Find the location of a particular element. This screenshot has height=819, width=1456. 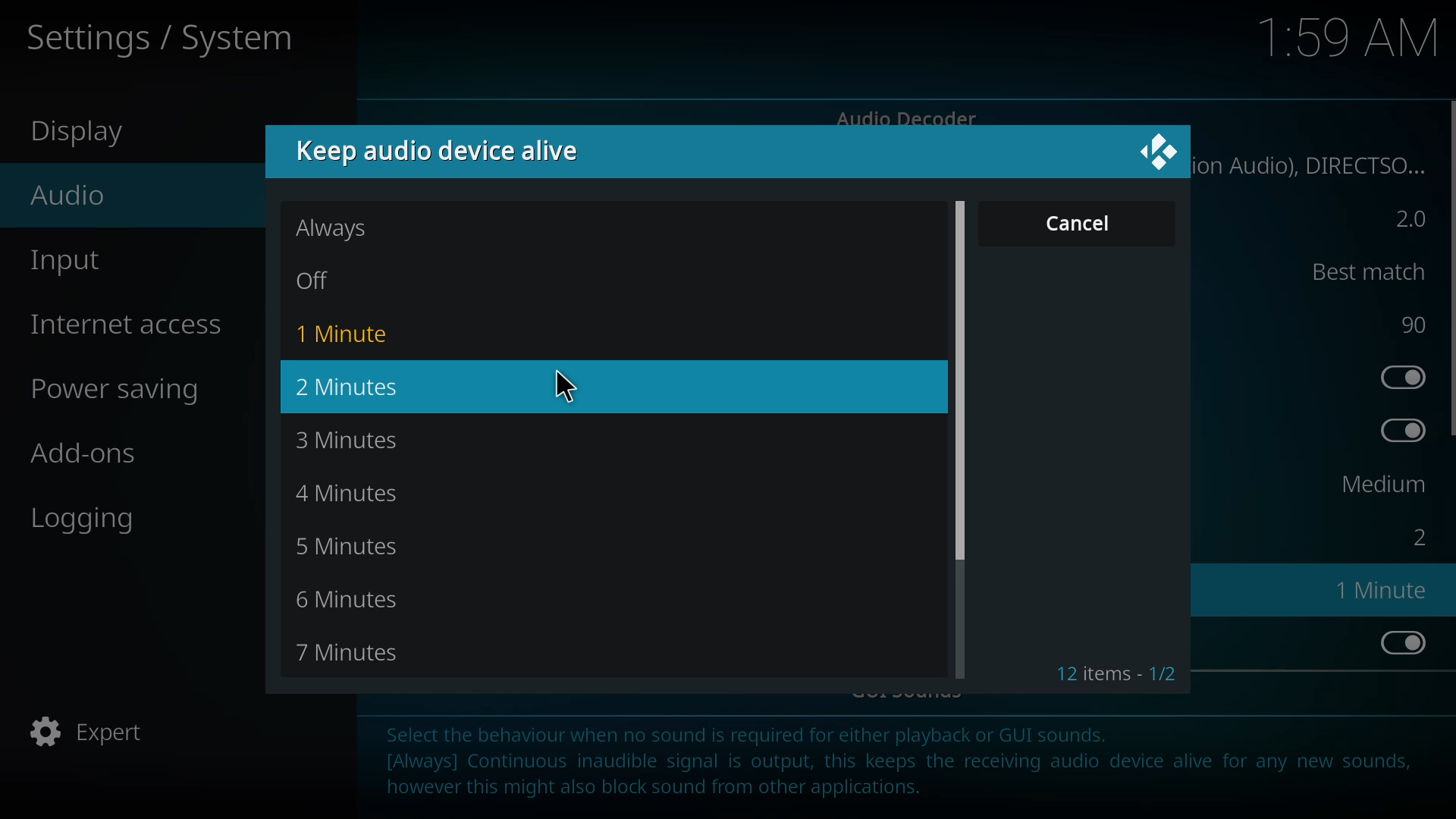

enabled is located at coordinates (1397, 430).